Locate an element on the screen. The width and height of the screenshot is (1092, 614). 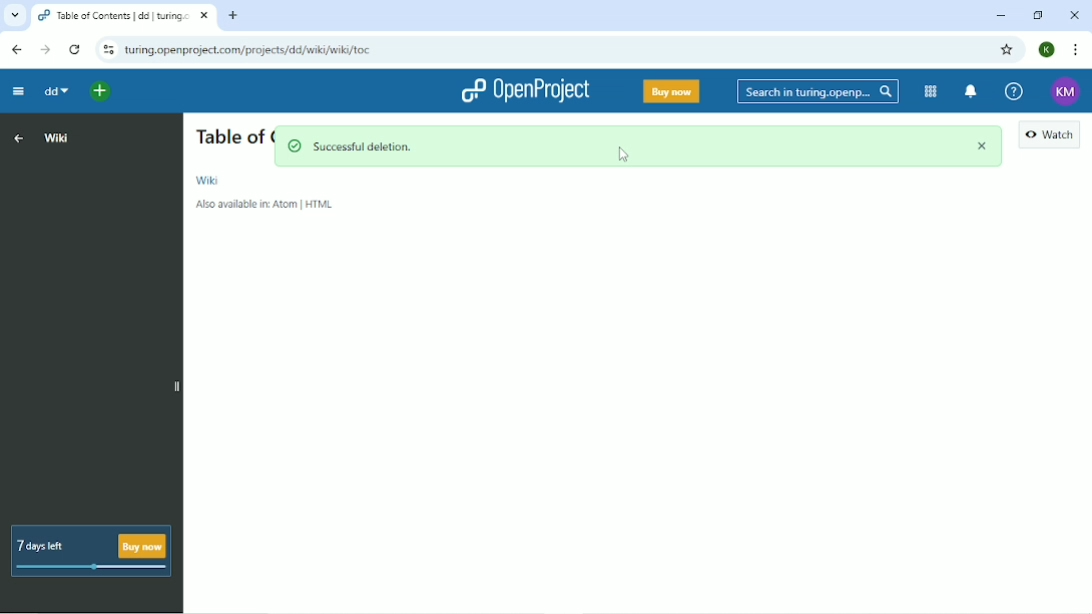
To notification center is located at coordinates (973, 92).